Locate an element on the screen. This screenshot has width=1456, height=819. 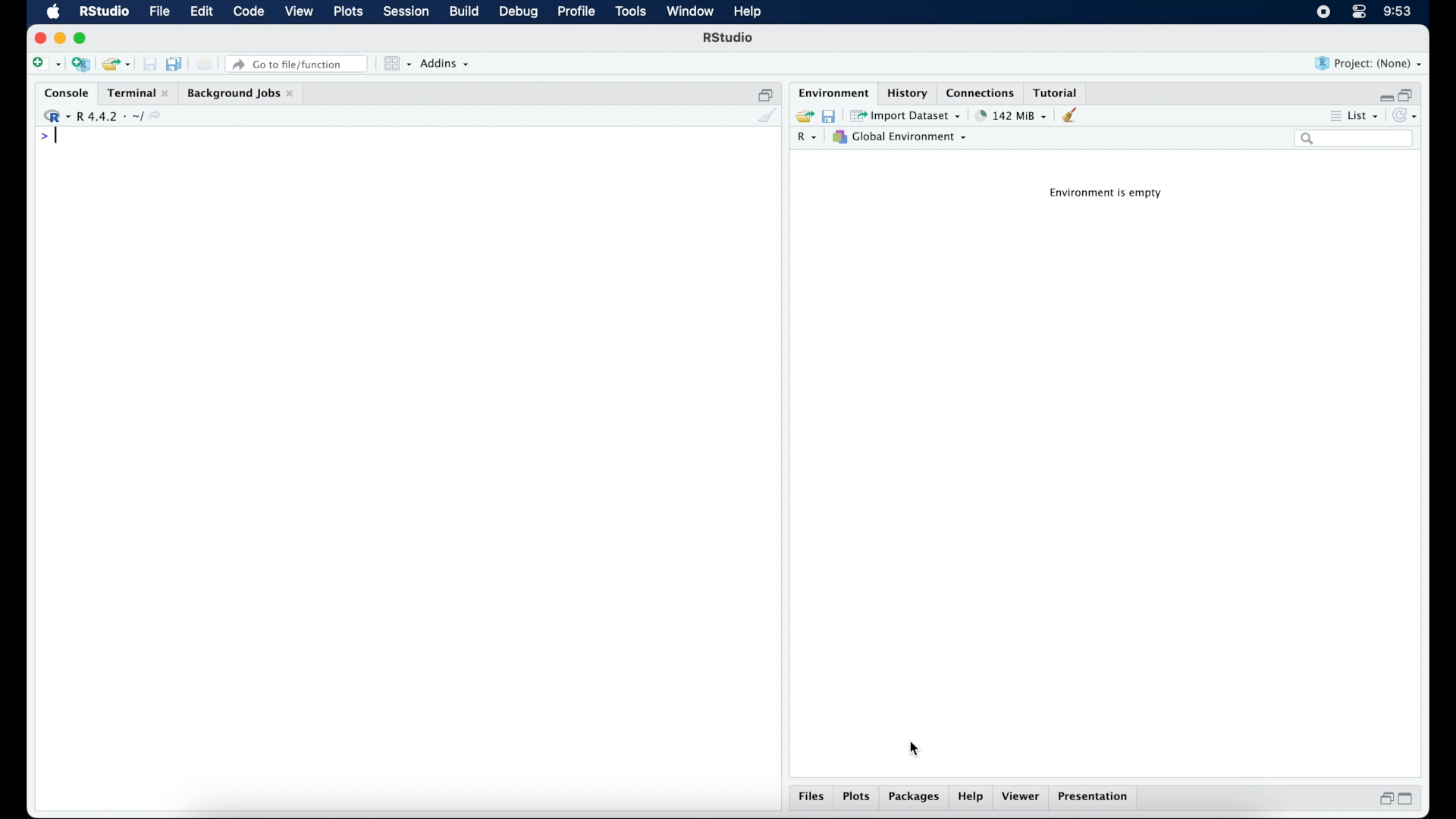
refresh is located at coordinates (1407, 115).